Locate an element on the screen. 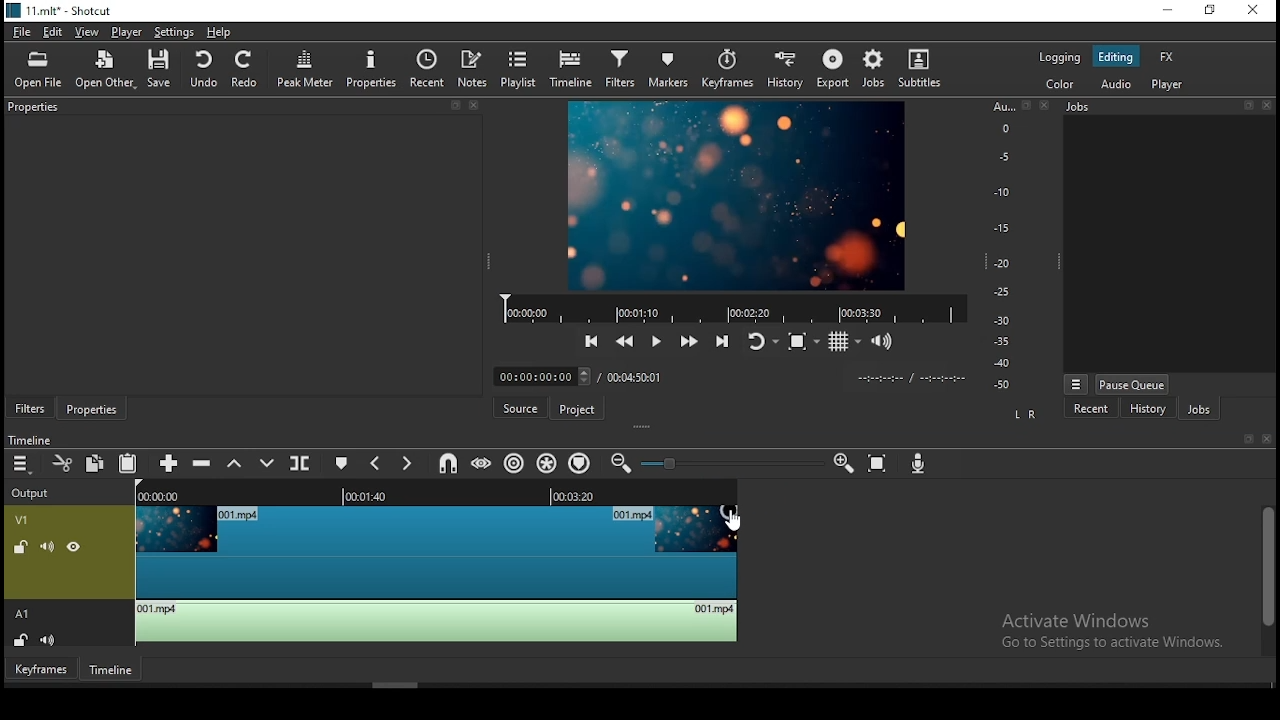 The image size is (1280, 720). play/pause is located at coordinates (655, 344).